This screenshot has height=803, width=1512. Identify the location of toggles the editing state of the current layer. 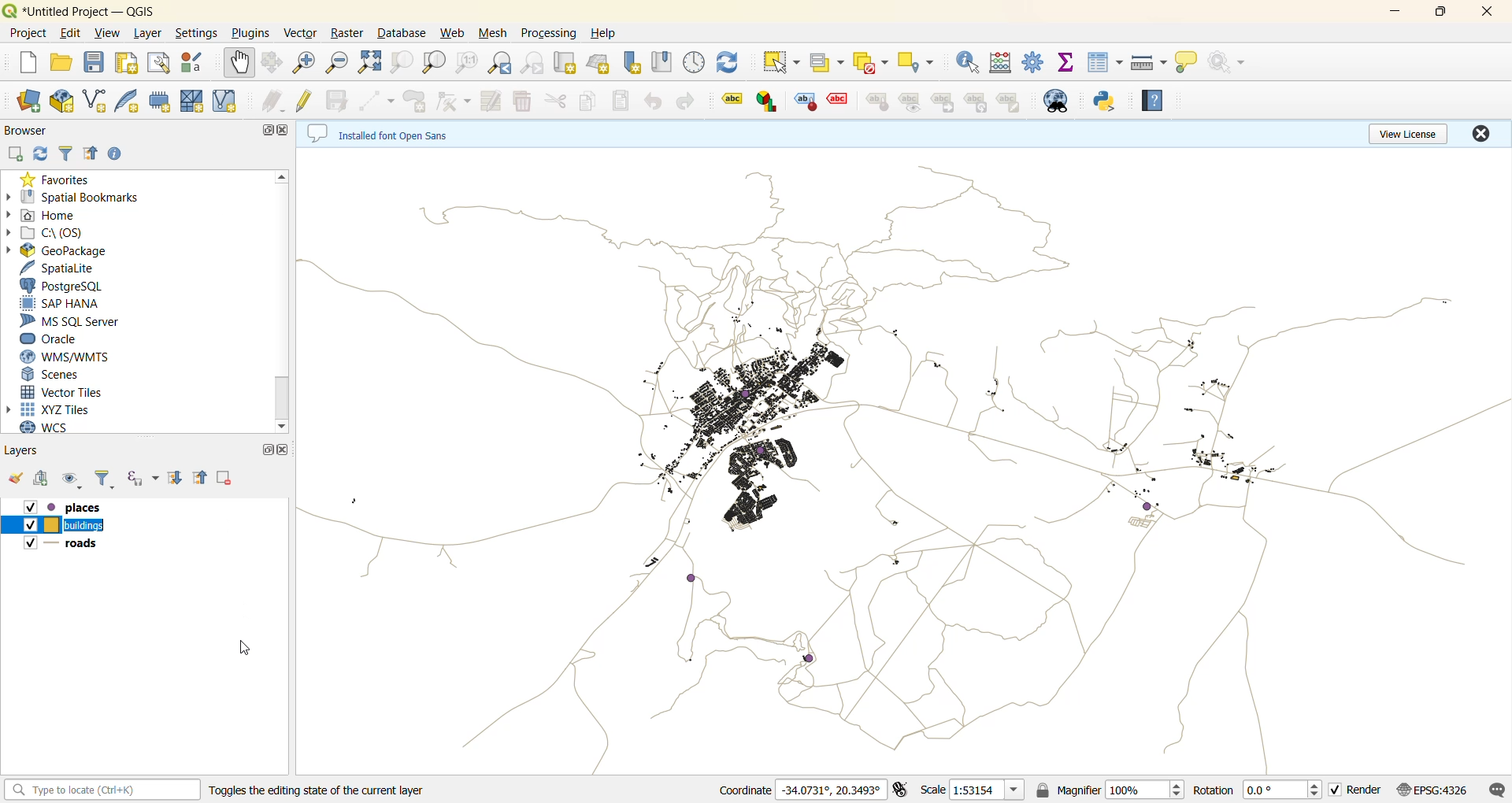
(334, 789).